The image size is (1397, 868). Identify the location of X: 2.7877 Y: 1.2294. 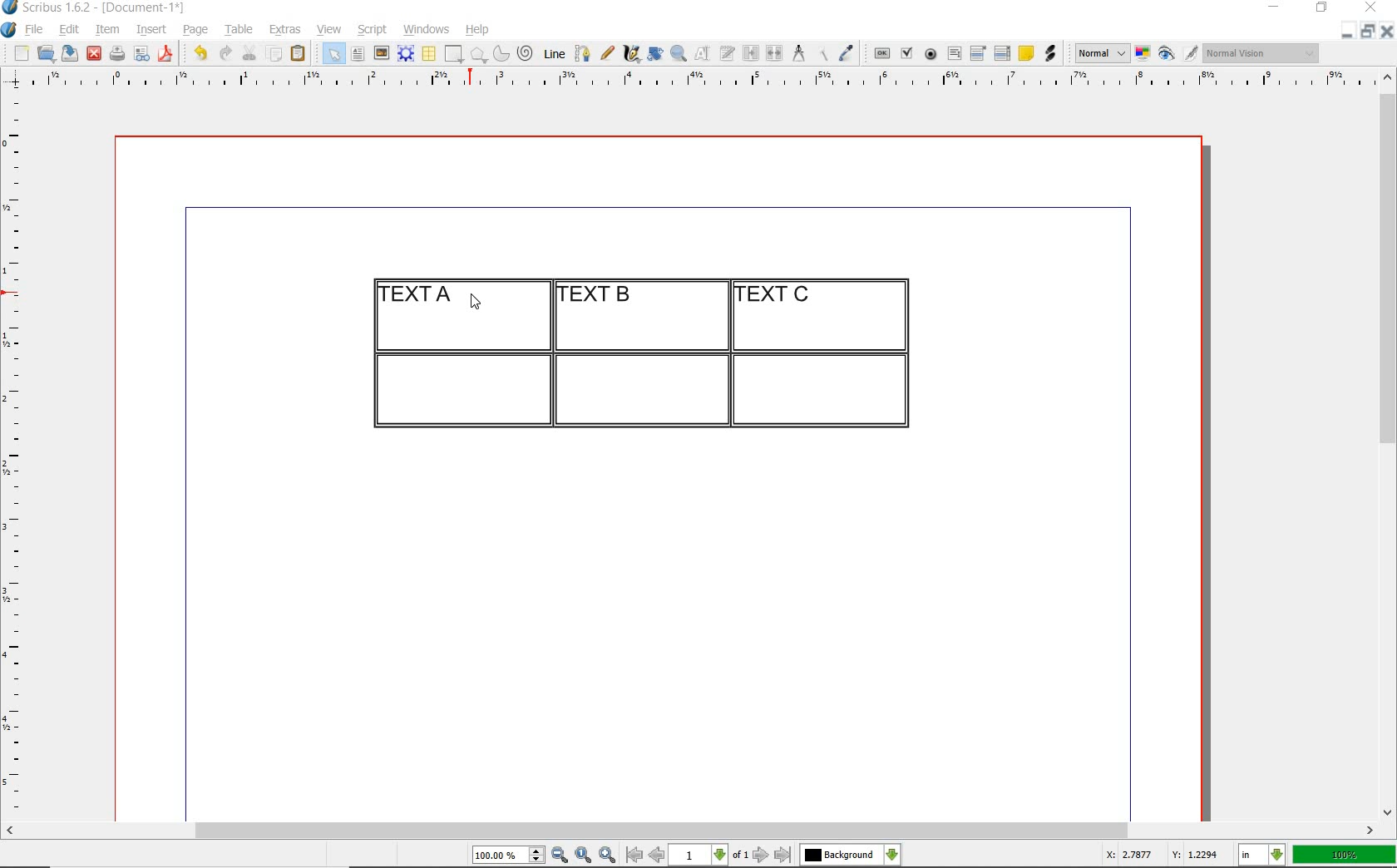
(1165, 855).